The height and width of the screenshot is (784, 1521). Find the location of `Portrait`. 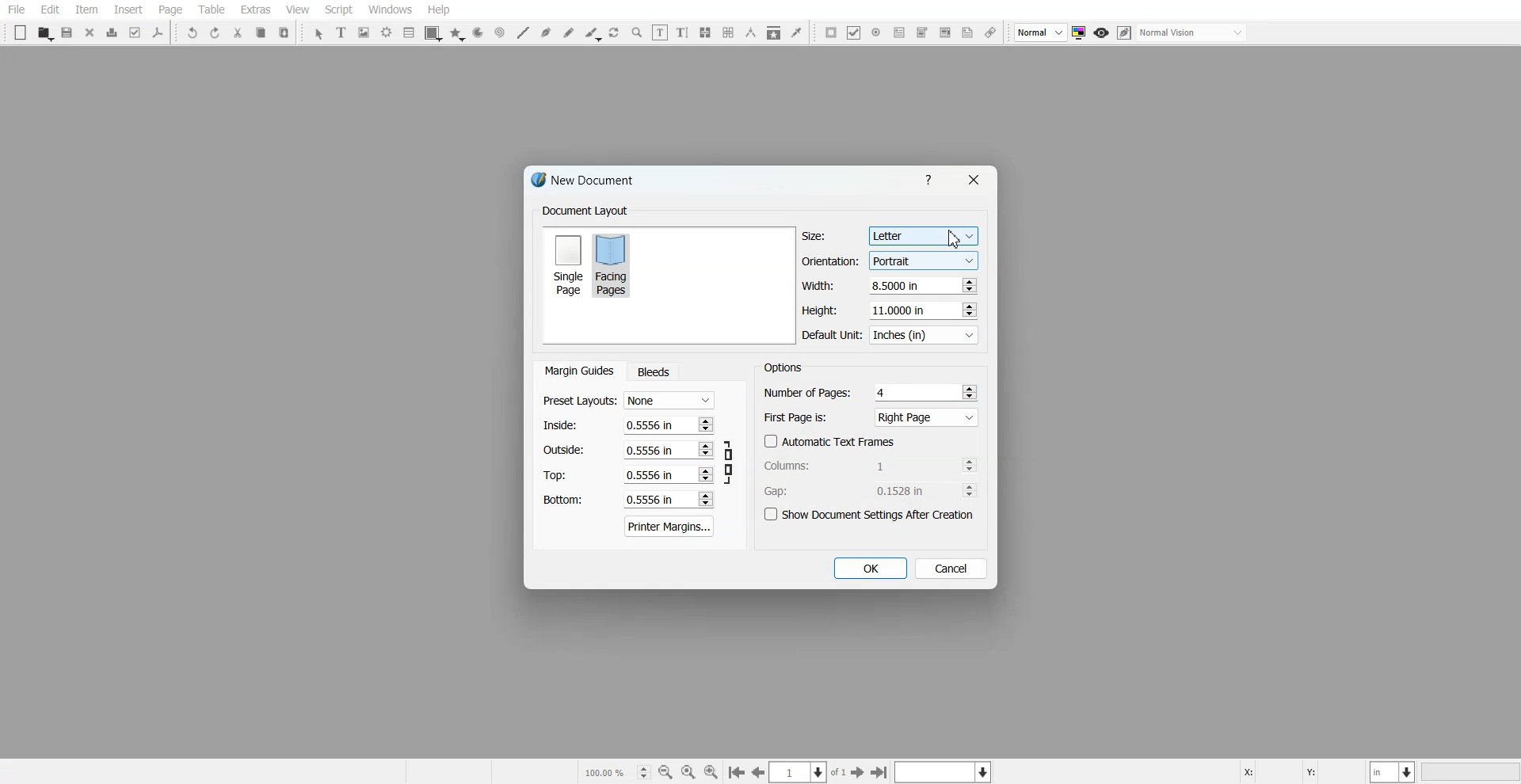

Portrait is located at coordinates (922, 260).